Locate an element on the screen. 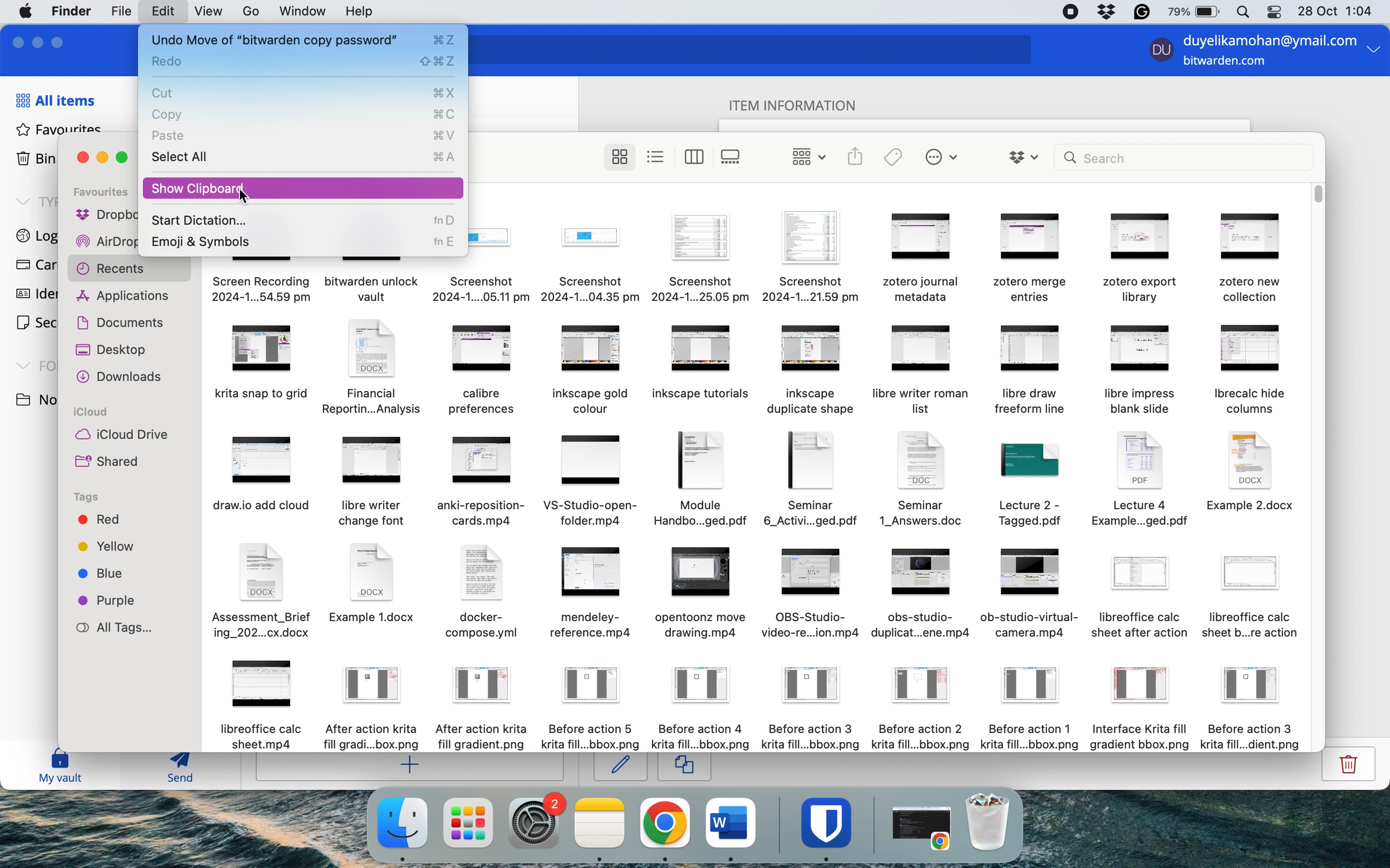  dropbox options is located at coordinates (1024, 156).